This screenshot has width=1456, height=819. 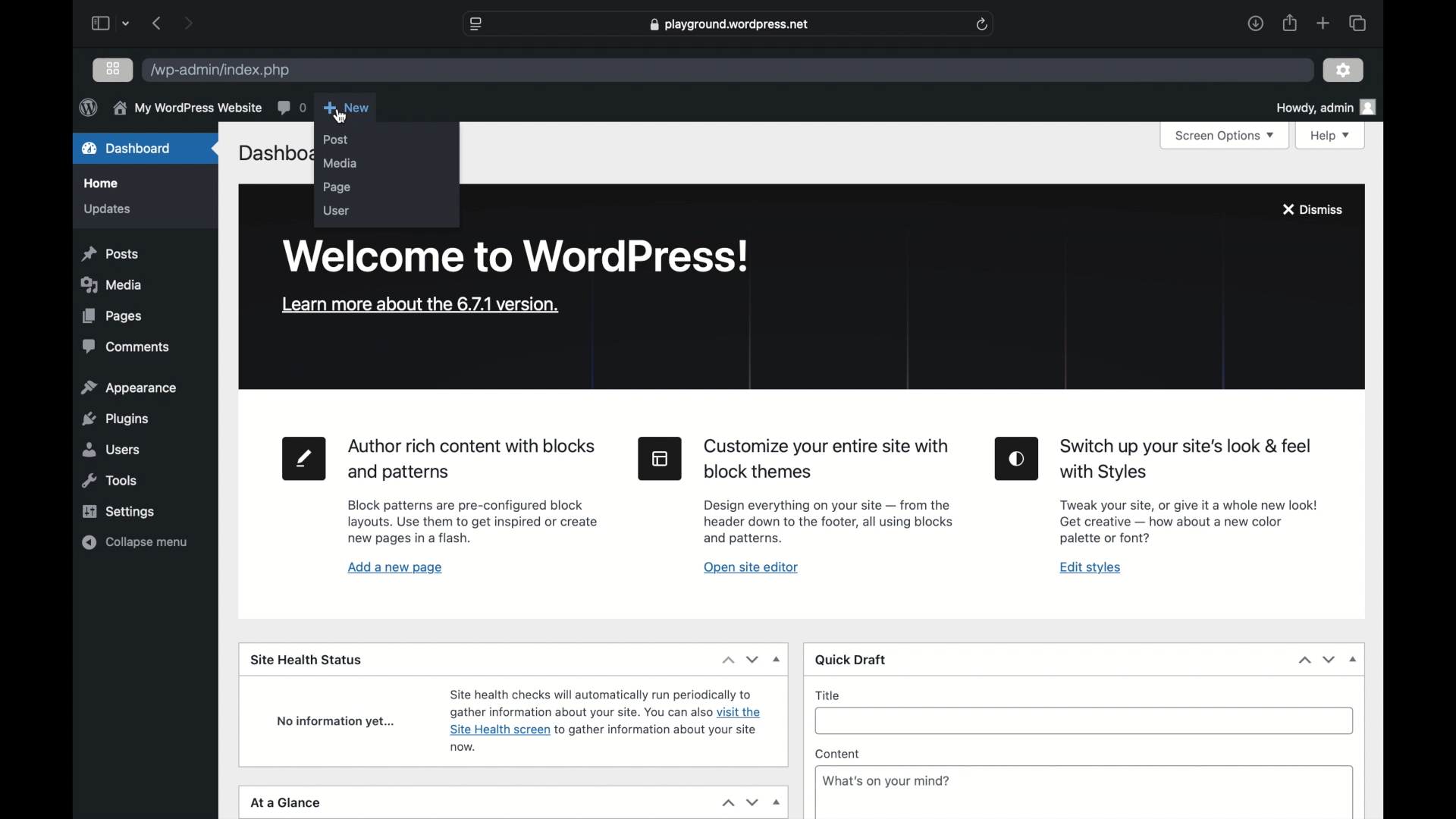 What do you see at coordinates (1343, 70) in the screenshot?
I see `settings` at bounding box center [1343, 70].